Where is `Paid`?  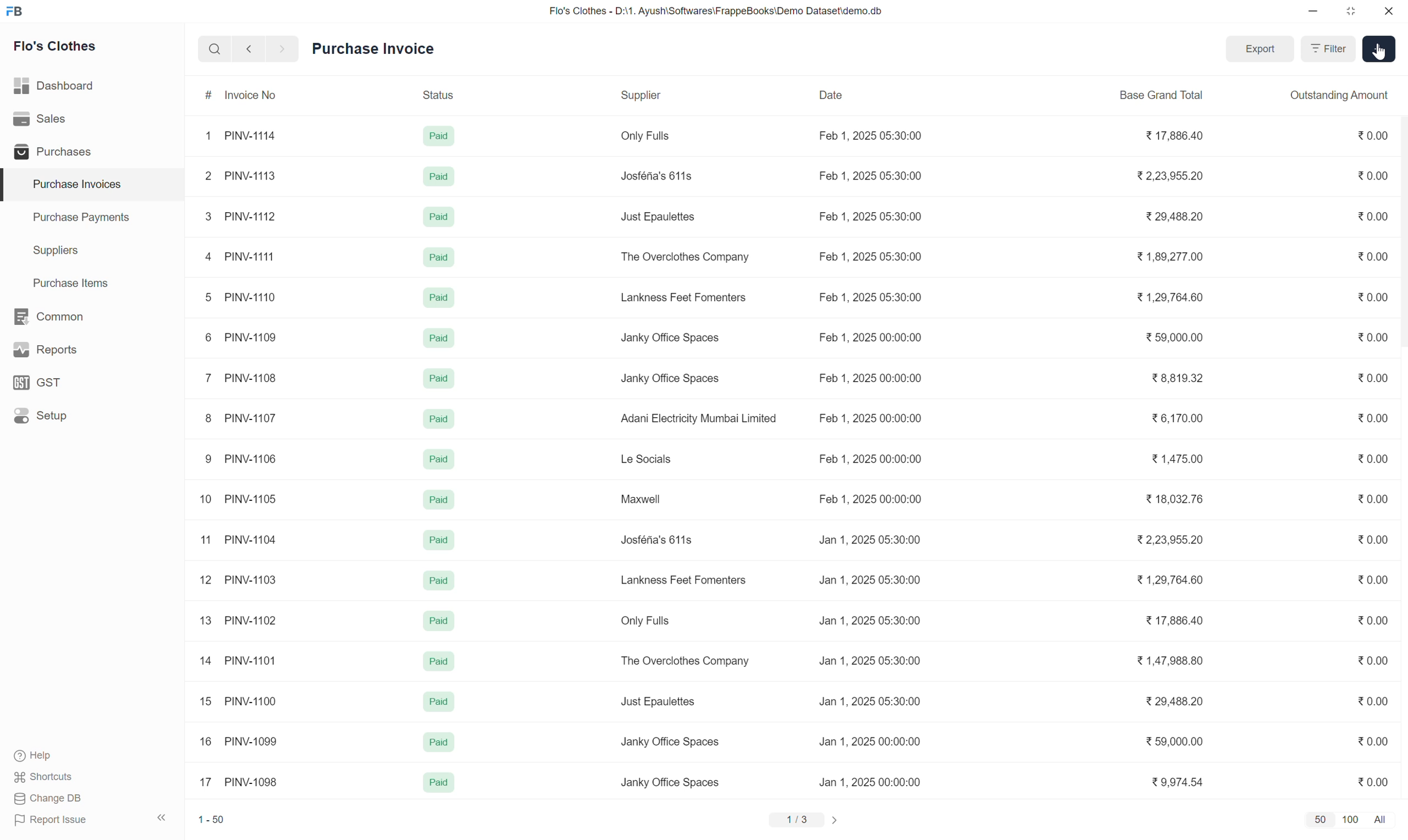 Paid is located at coordinates (439, 540).